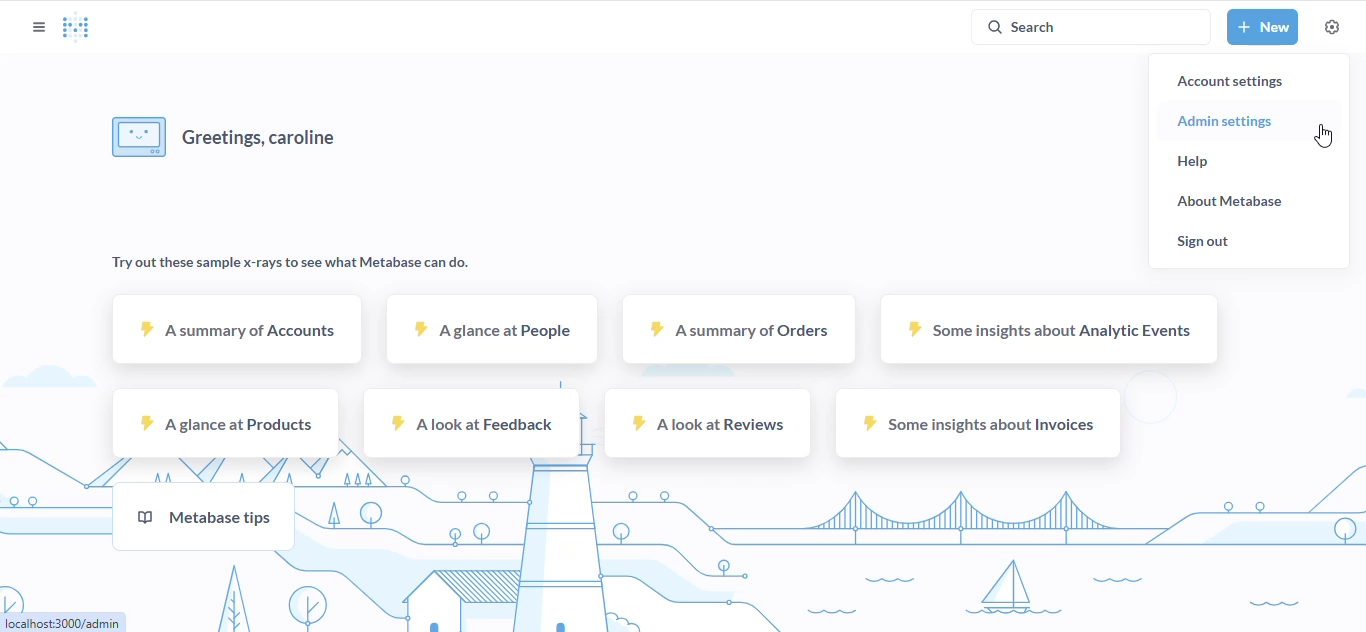 The height and width of the screenshot is (632, 1366). I want to click on settings, so click(1333, 26).